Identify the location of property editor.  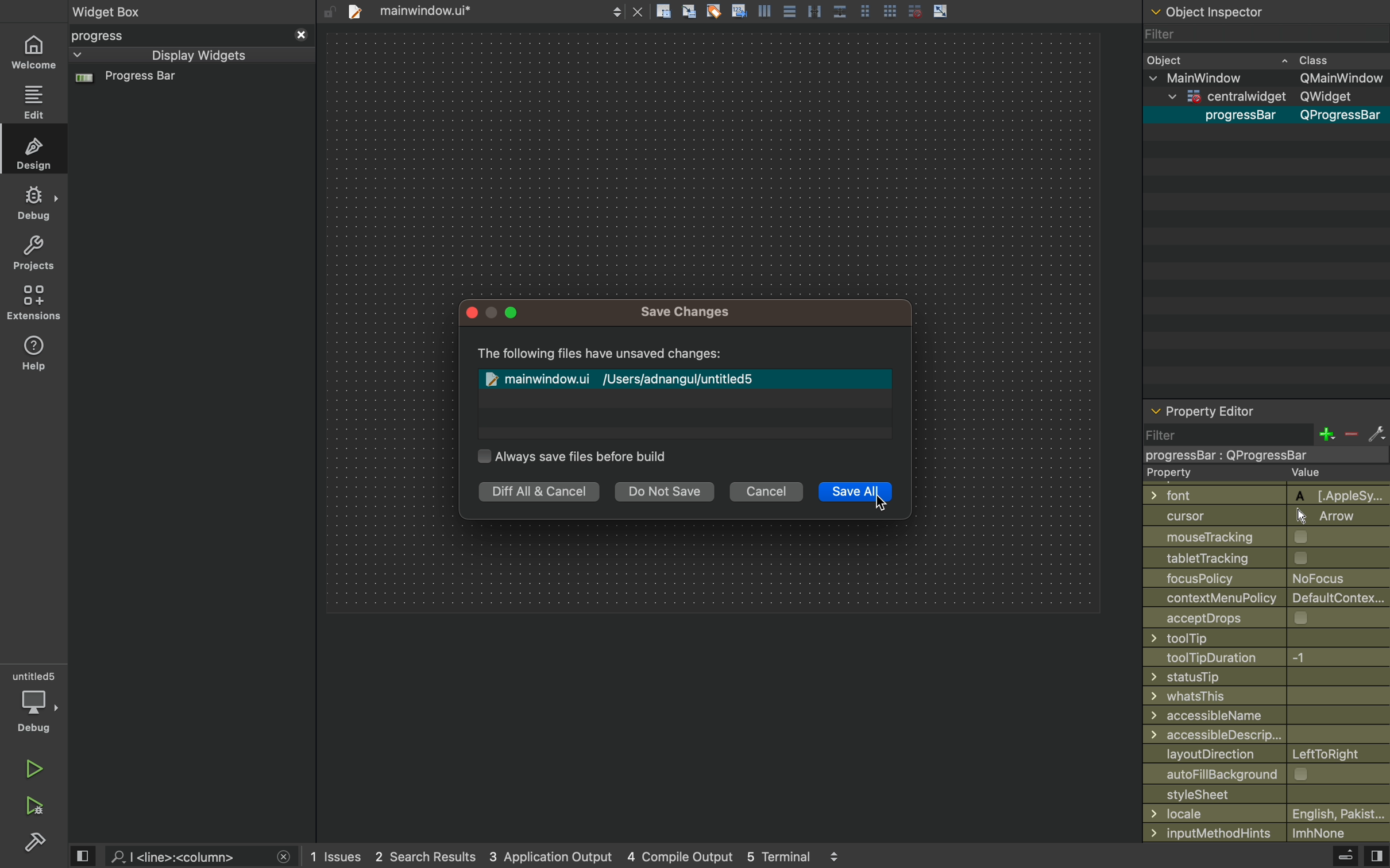
(1266, 413).